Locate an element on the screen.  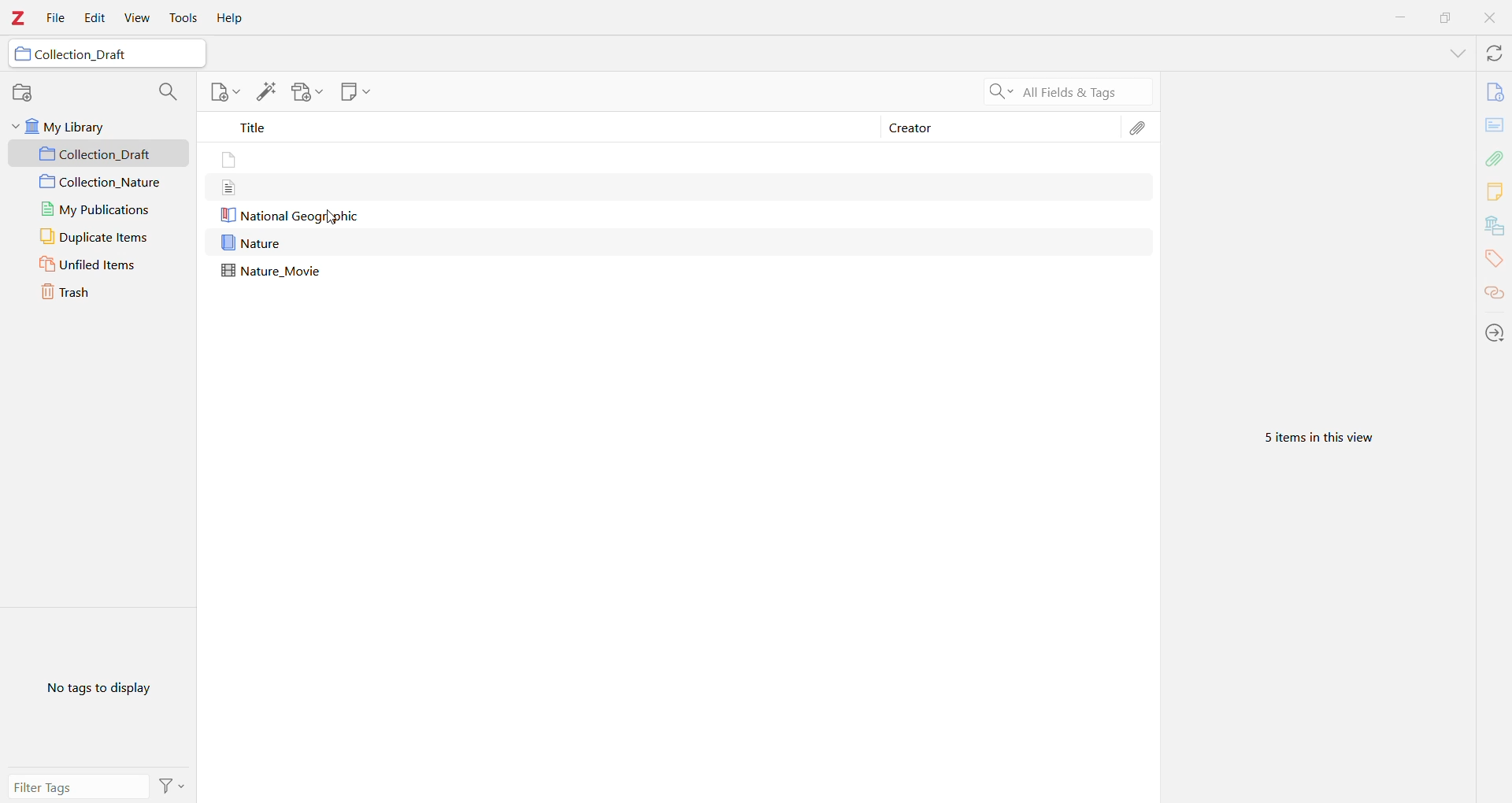
Help is located at coordinates (234, 18).